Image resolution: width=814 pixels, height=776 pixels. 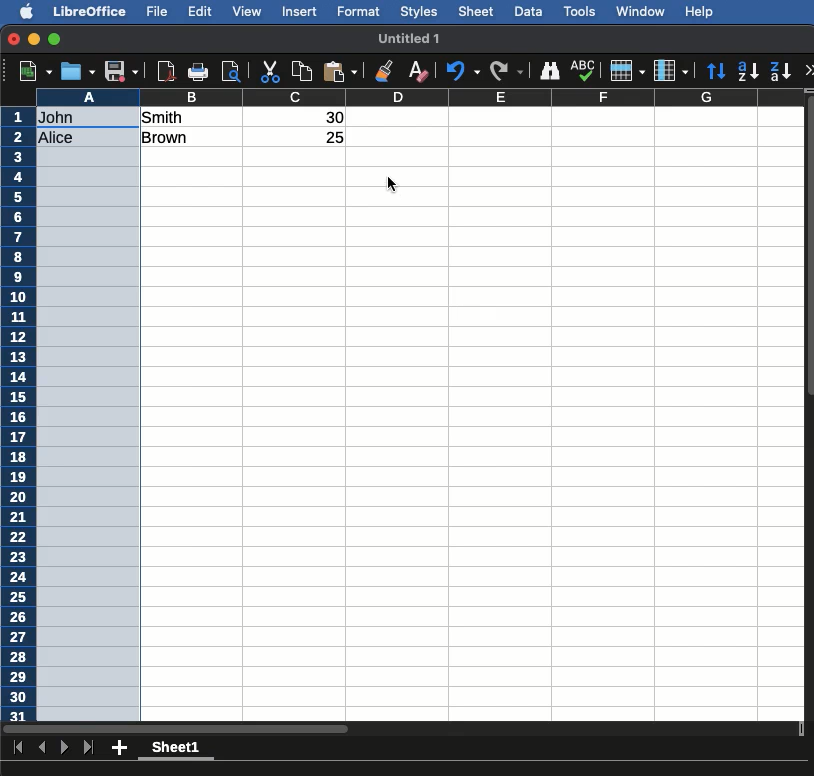 I want to click on Spell check, so click(x=584, y=69).